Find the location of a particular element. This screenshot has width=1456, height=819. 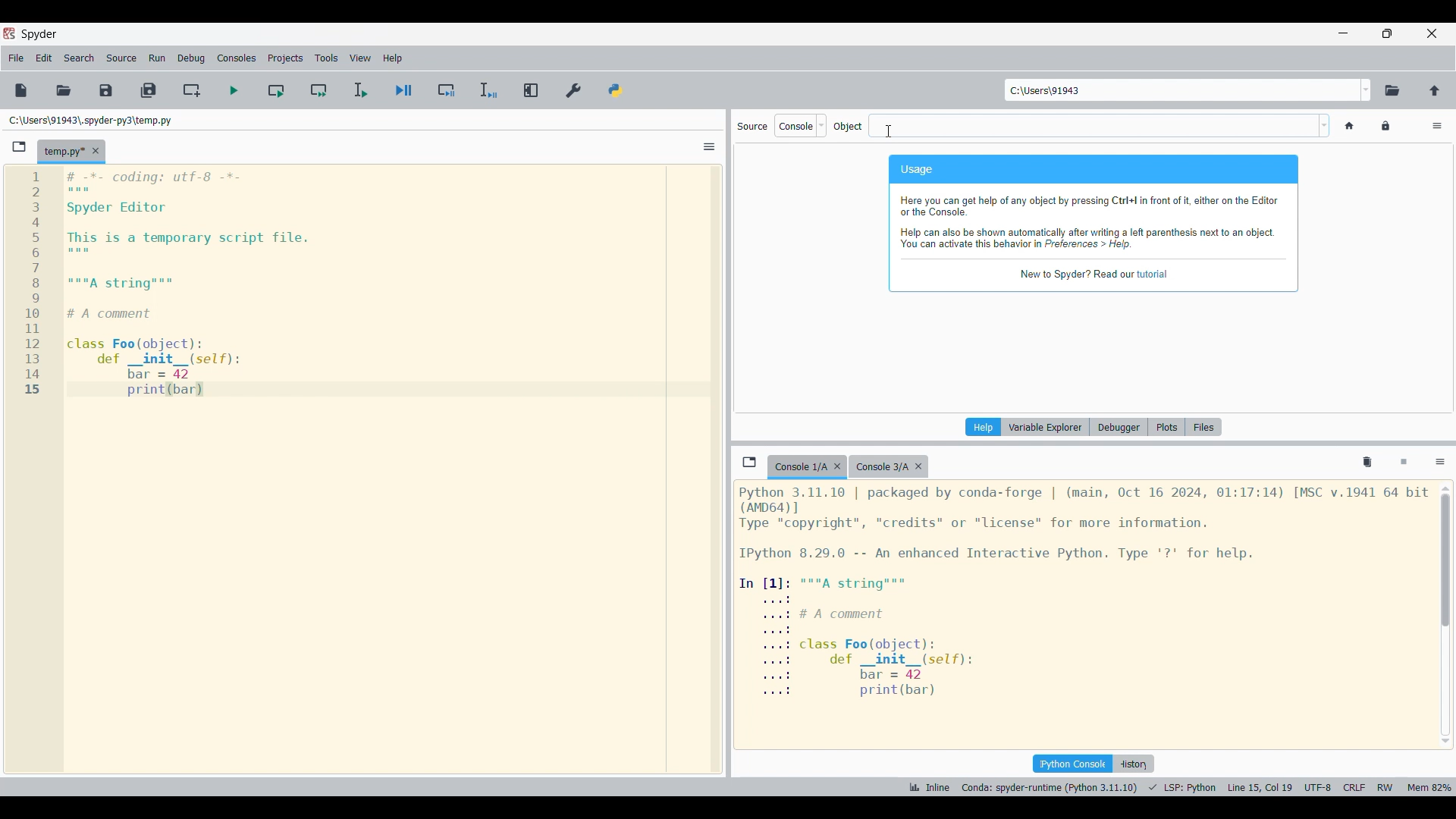

Inline  is located at coordinates (932, 783).